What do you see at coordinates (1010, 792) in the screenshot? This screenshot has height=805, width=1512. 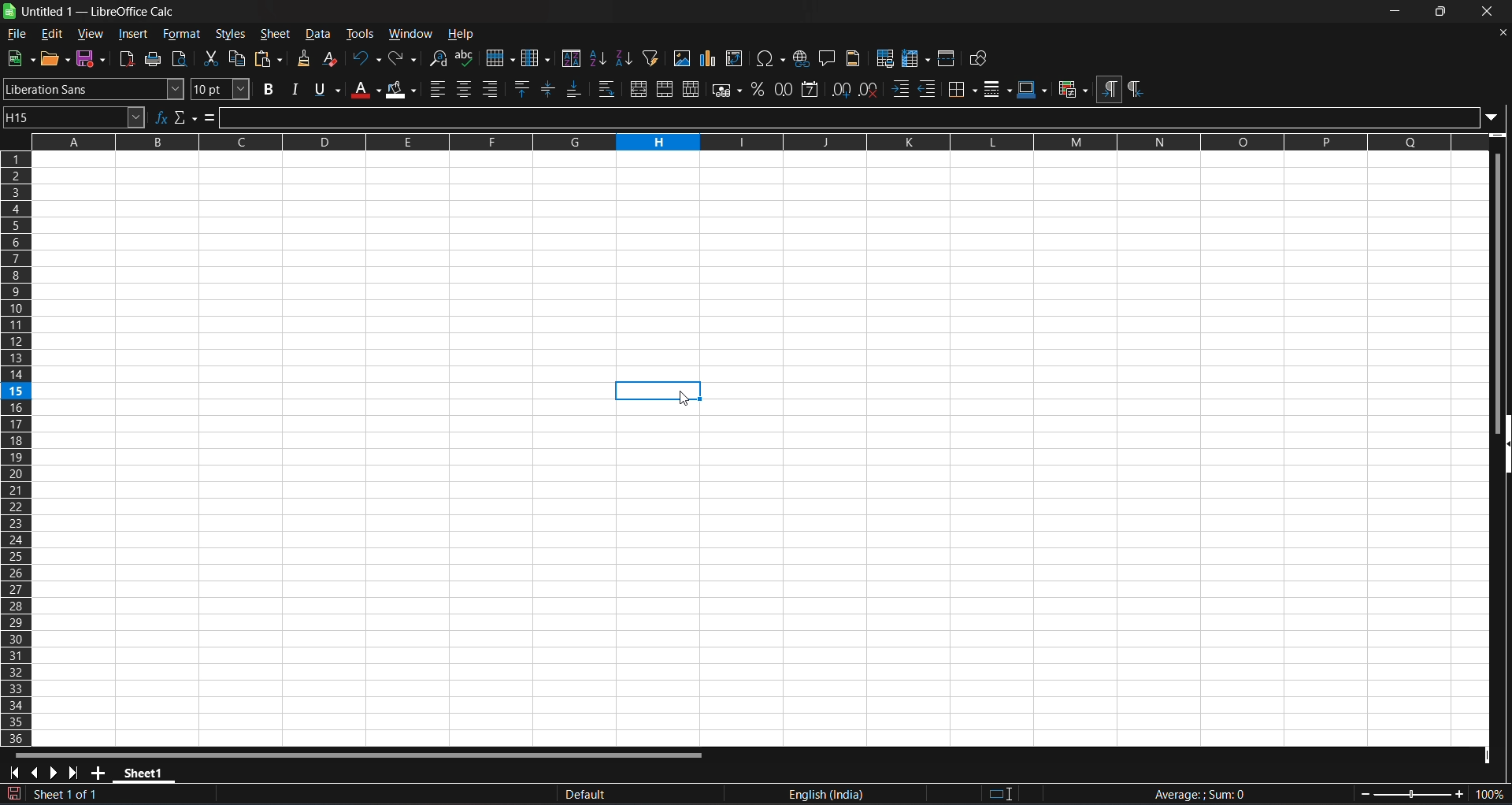 I see `standard selection` at bounding box center [1010, 792].